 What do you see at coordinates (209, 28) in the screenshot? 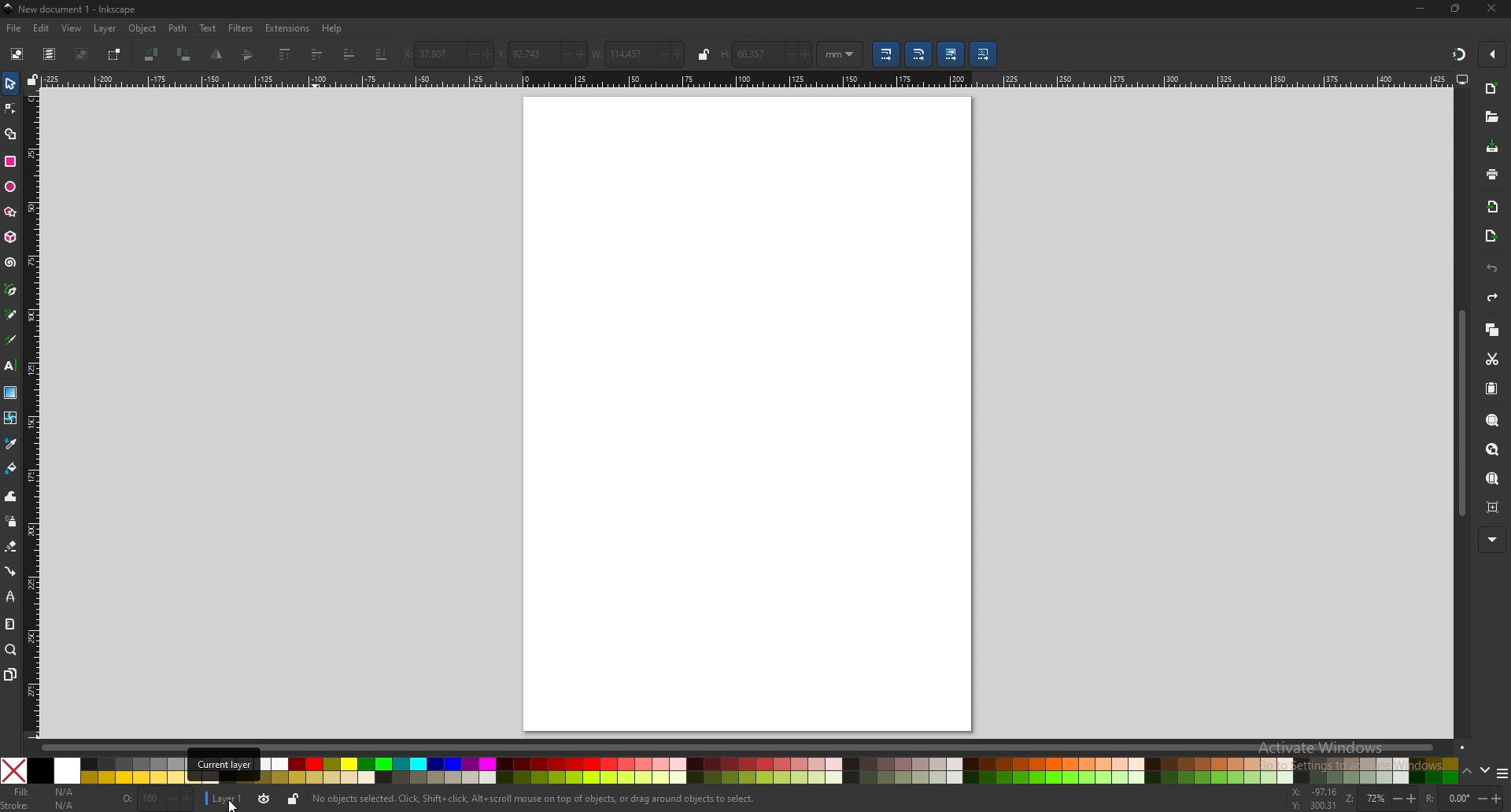
I see `text` at bounding box center [209, 28].